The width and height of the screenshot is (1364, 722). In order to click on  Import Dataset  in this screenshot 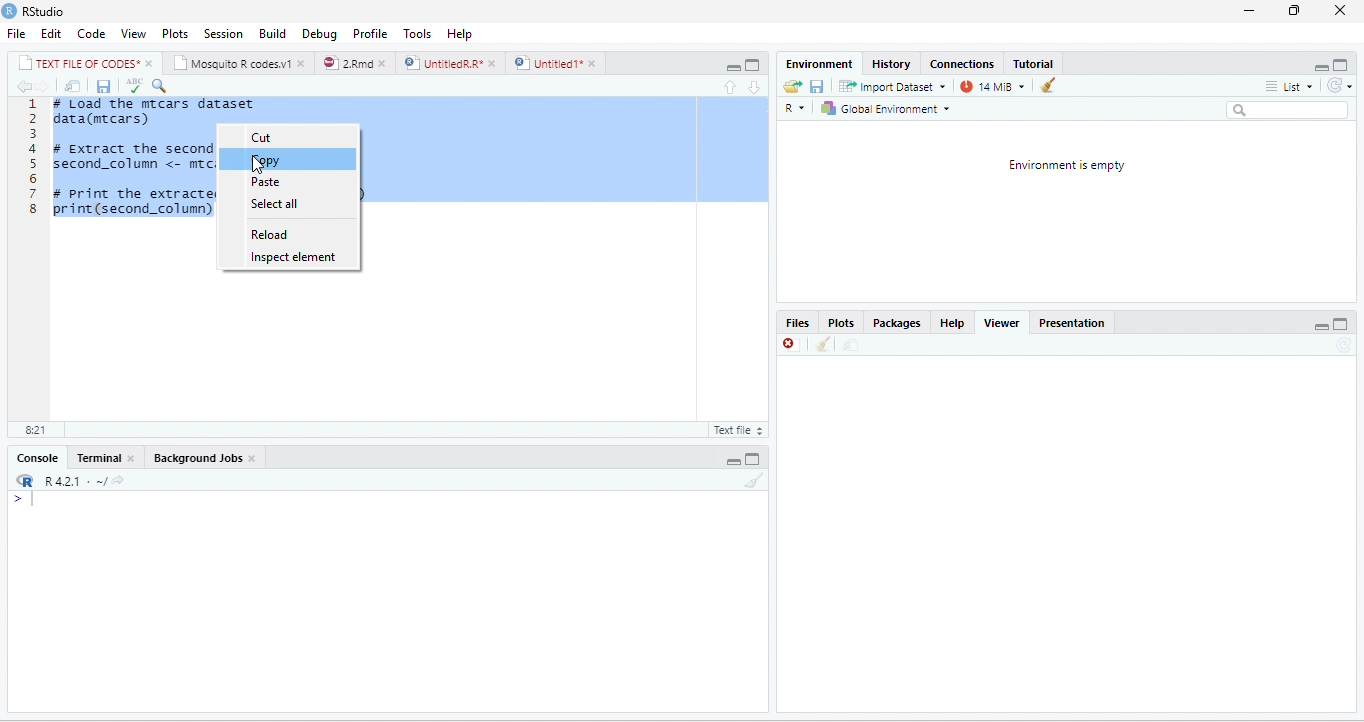, I will do `click(893, 86)`.